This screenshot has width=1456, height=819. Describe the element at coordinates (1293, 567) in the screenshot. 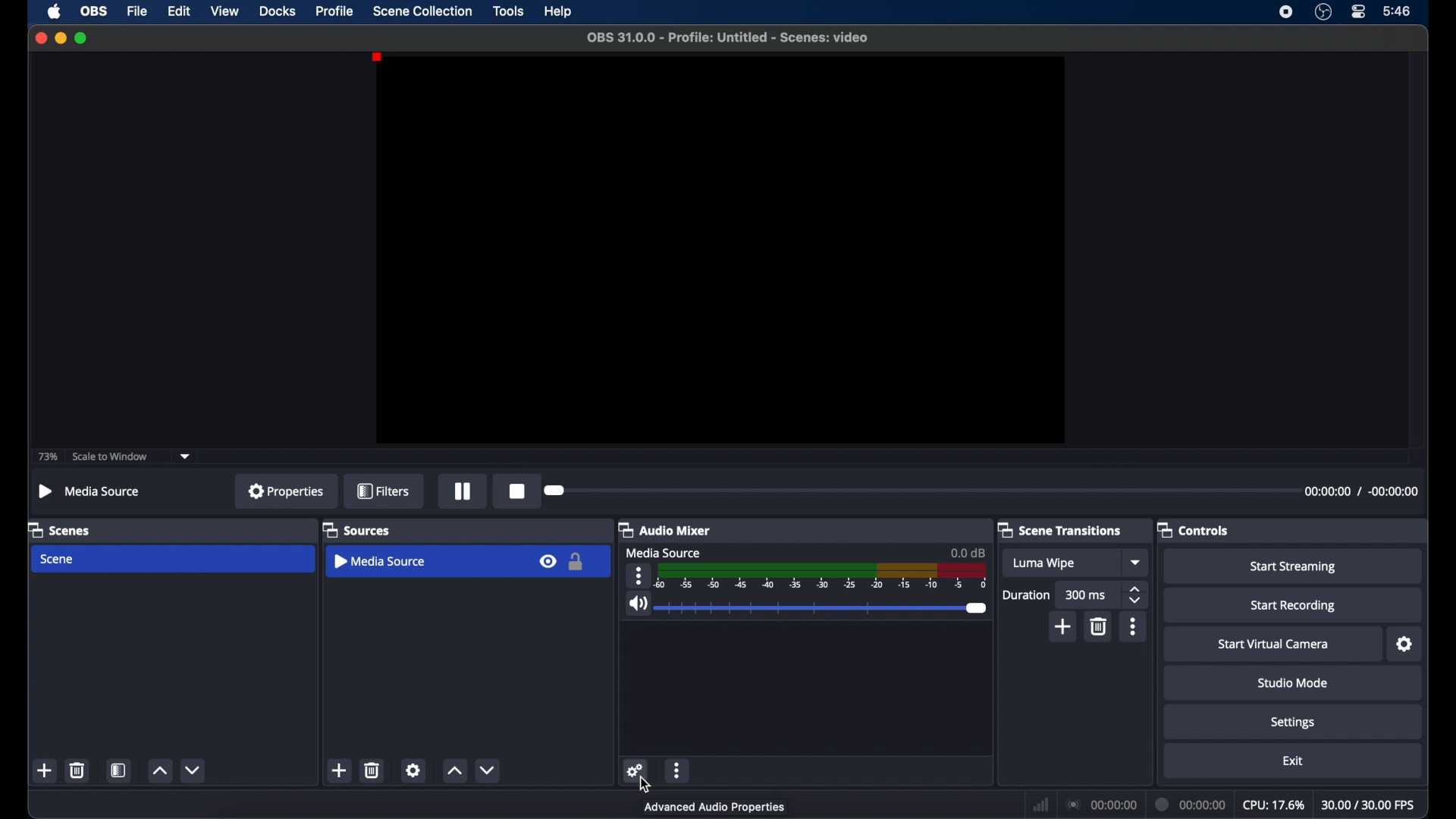

I see `start streaming` at that location.